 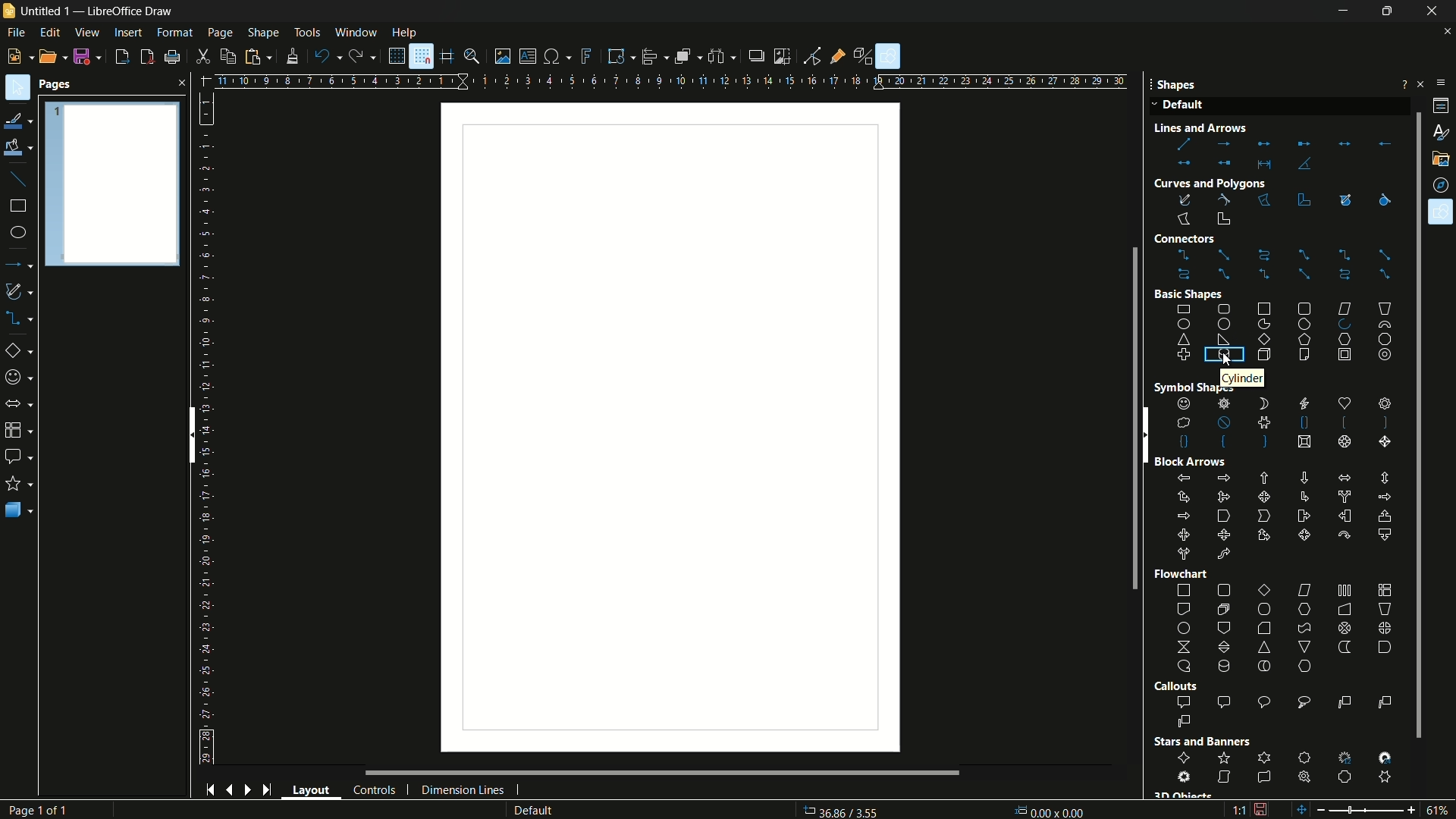 I want to click on length measuring scale, so click(x=210, y=428).